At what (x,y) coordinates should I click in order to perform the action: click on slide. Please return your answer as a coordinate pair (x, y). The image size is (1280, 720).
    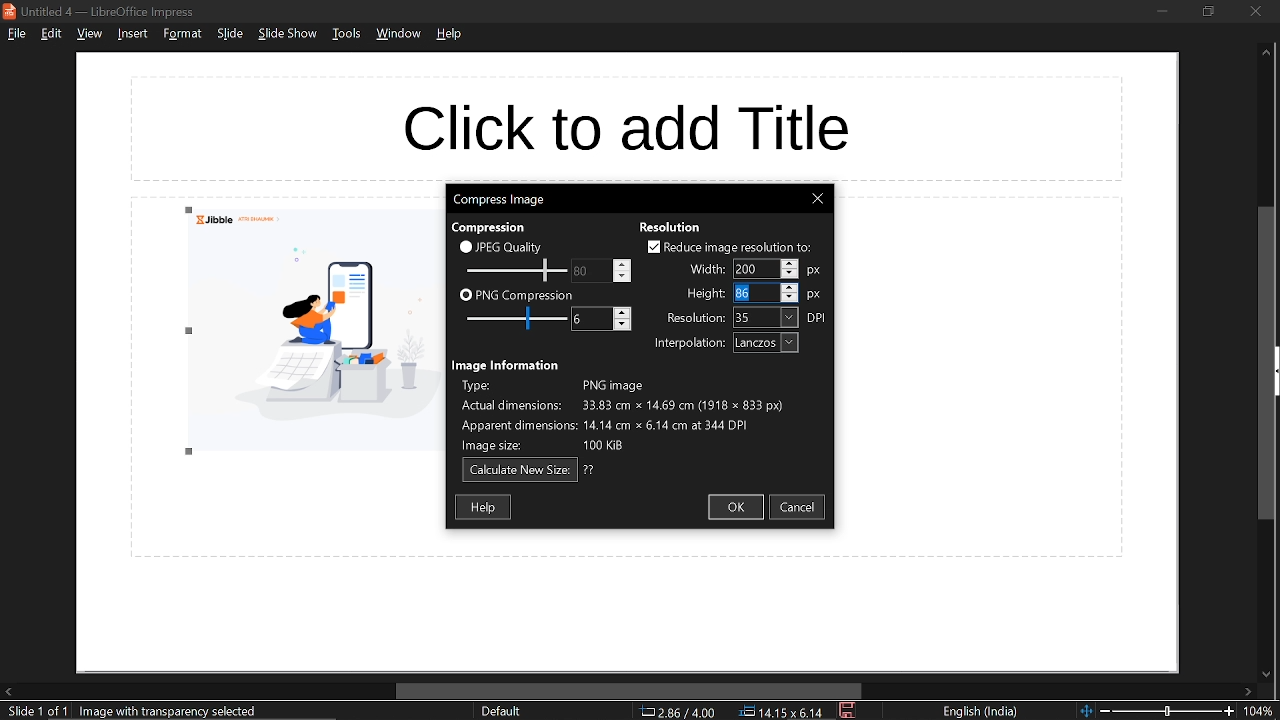
    Looking at the image, I should click on (230, 34).